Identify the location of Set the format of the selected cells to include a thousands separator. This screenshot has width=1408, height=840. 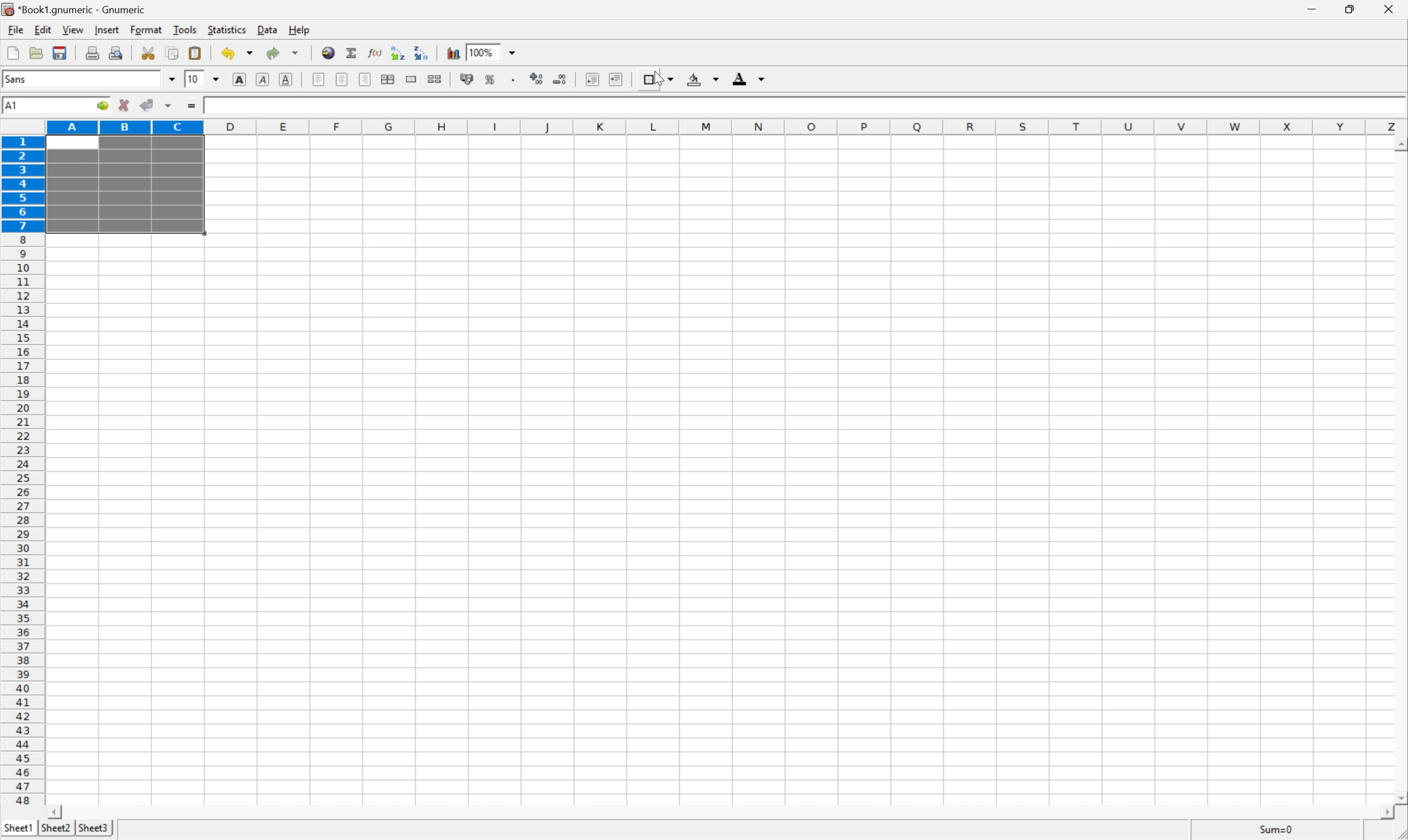
(511, 79).